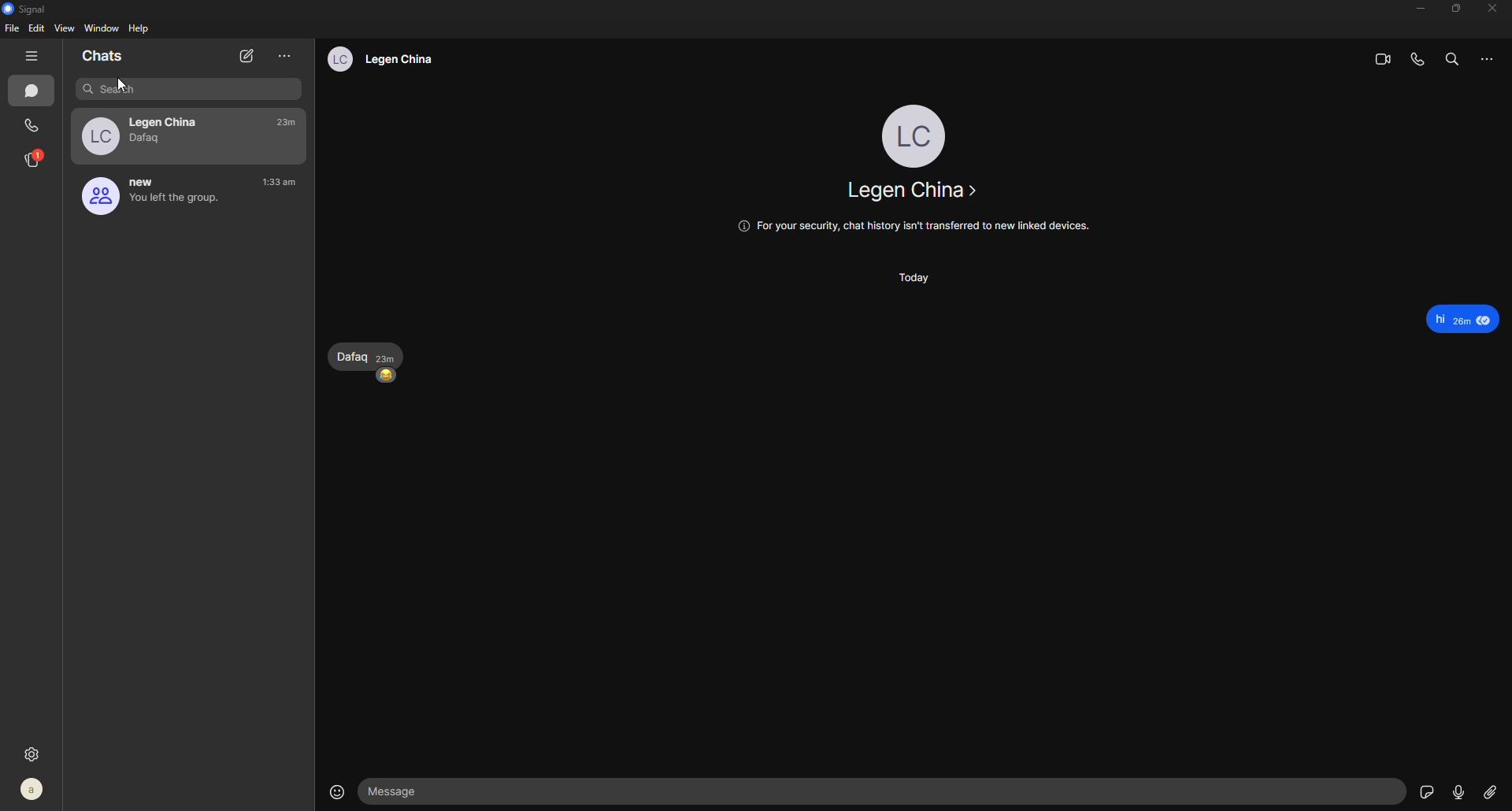  I want to click on stories, so click(35, 163).